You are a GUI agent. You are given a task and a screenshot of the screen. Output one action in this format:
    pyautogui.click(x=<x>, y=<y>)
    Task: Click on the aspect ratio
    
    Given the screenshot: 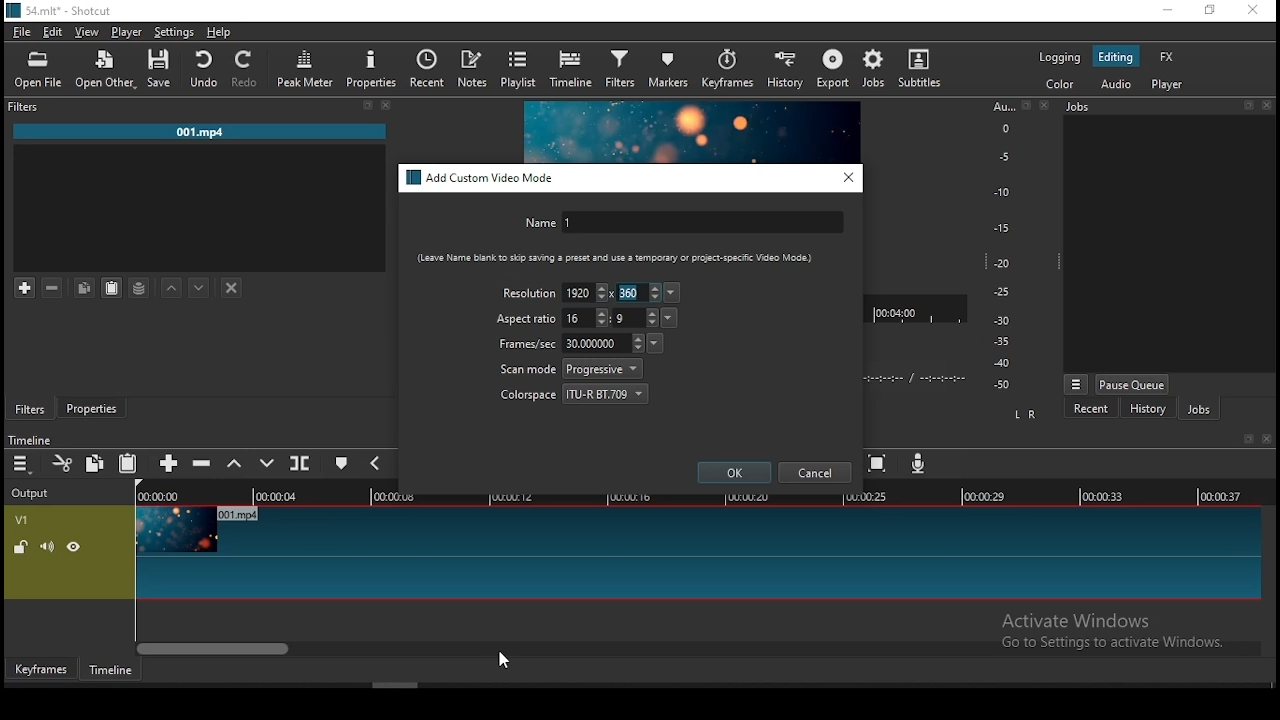 What is the action you would take?
    pyautogui.click(x=527, y=319)
    